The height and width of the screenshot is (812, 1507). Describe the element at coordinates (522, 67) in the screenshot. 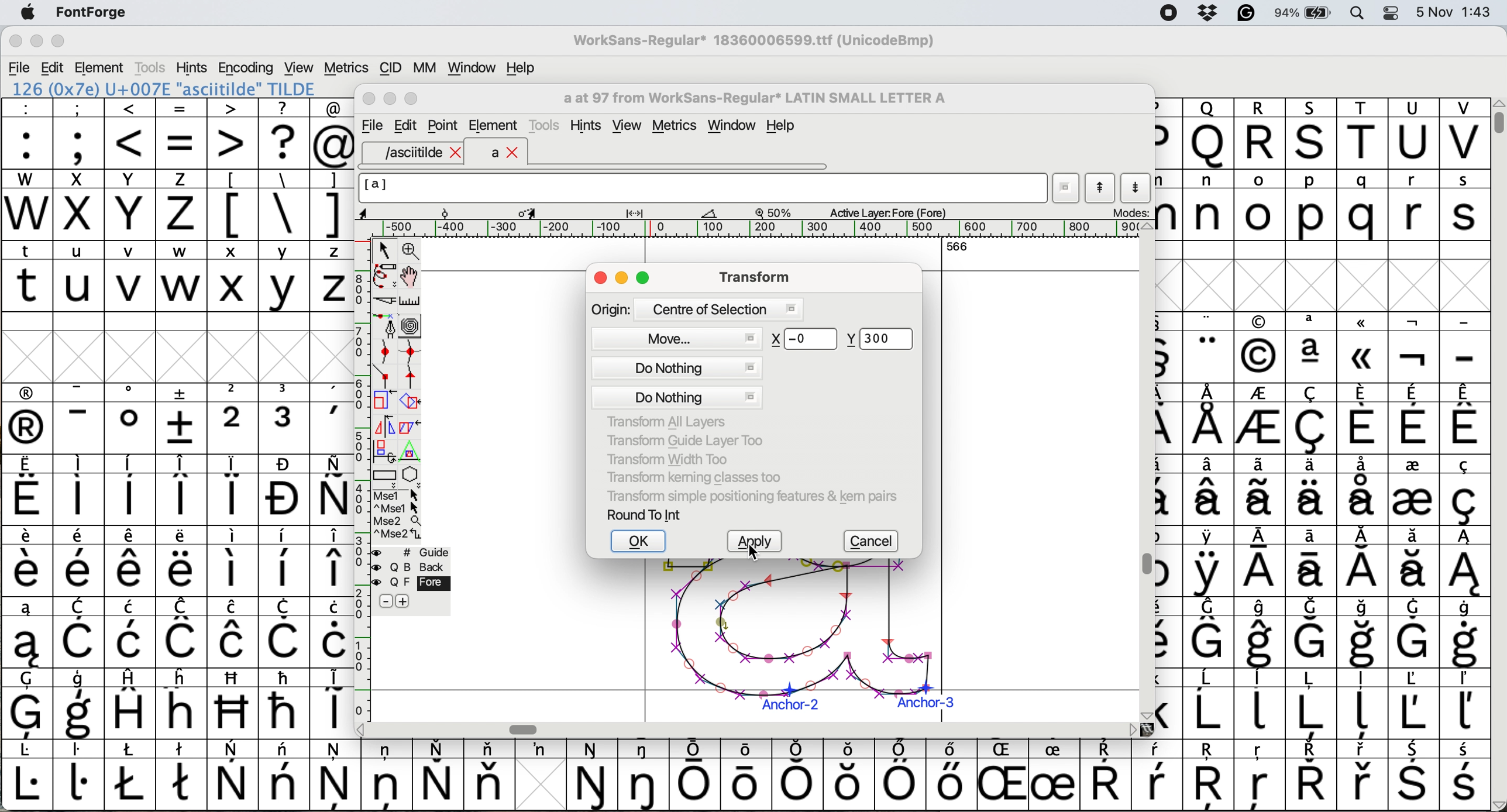

I see `help` at that location.